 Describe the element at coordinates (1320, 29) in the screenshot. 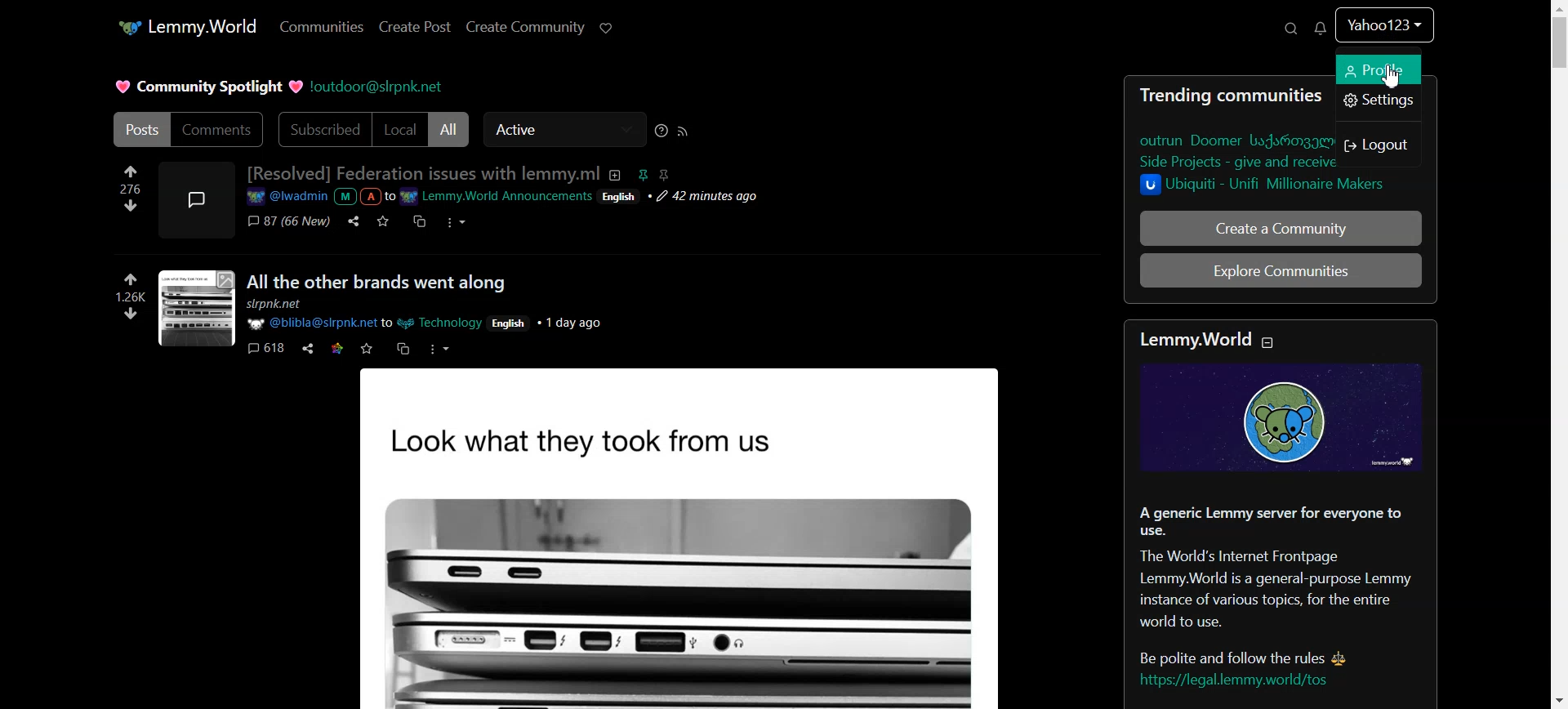

I see `notifications` at that location.